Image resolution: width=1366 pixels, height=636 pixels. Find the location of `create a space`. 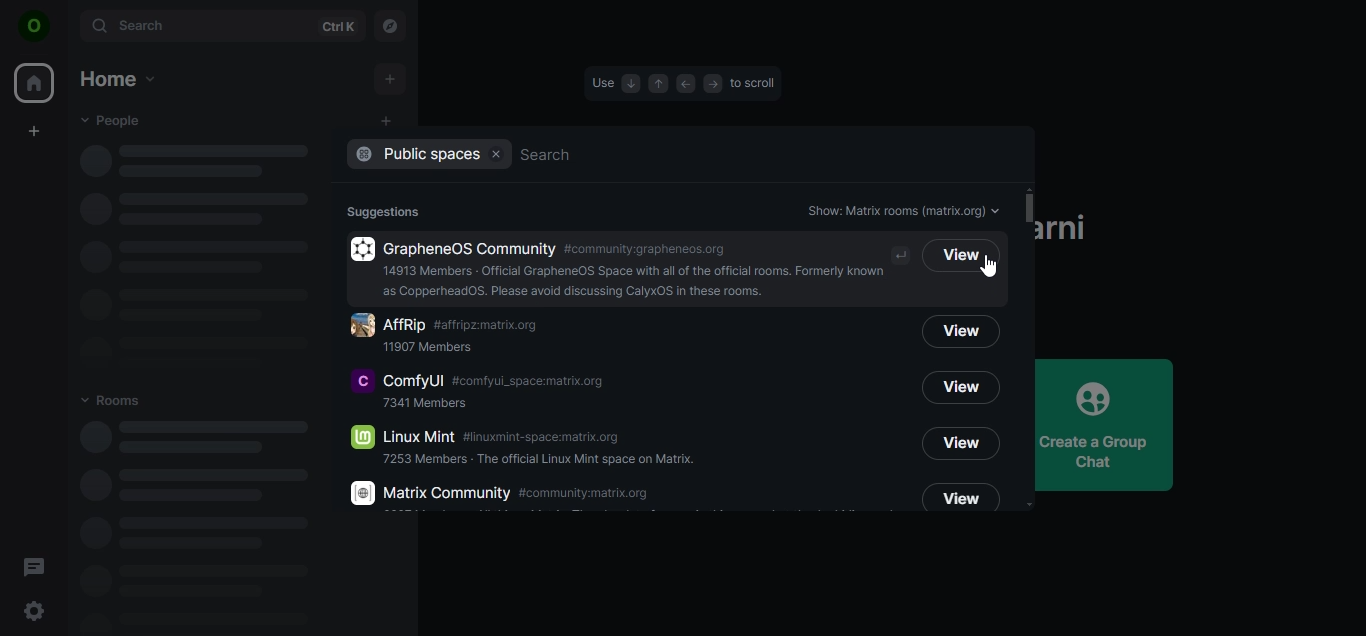

create a space is located at coordinates (34, 131).